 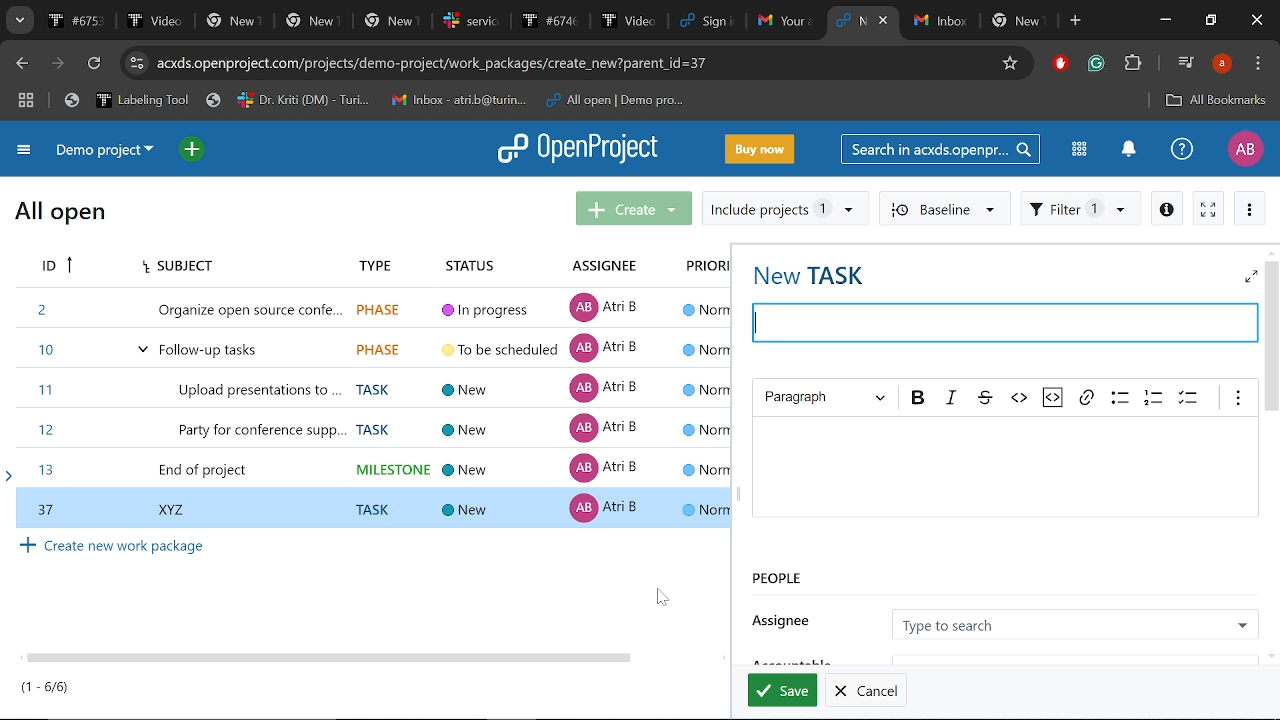 I want to click on Tab group, so click(x=27, y=102).